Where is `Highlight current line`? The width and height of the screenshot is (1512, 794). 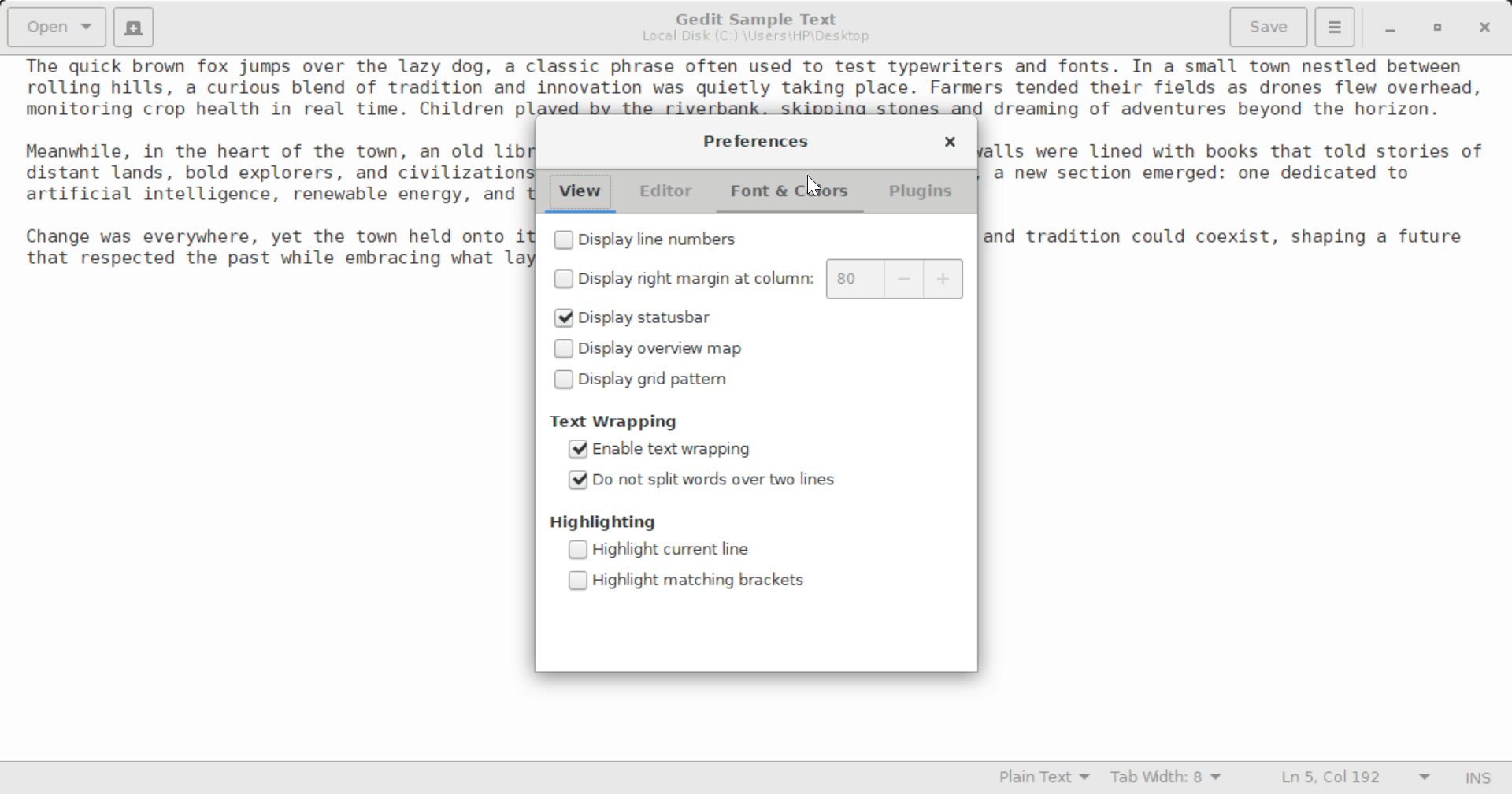
Highlight current line is located at coordinates (688, 549).